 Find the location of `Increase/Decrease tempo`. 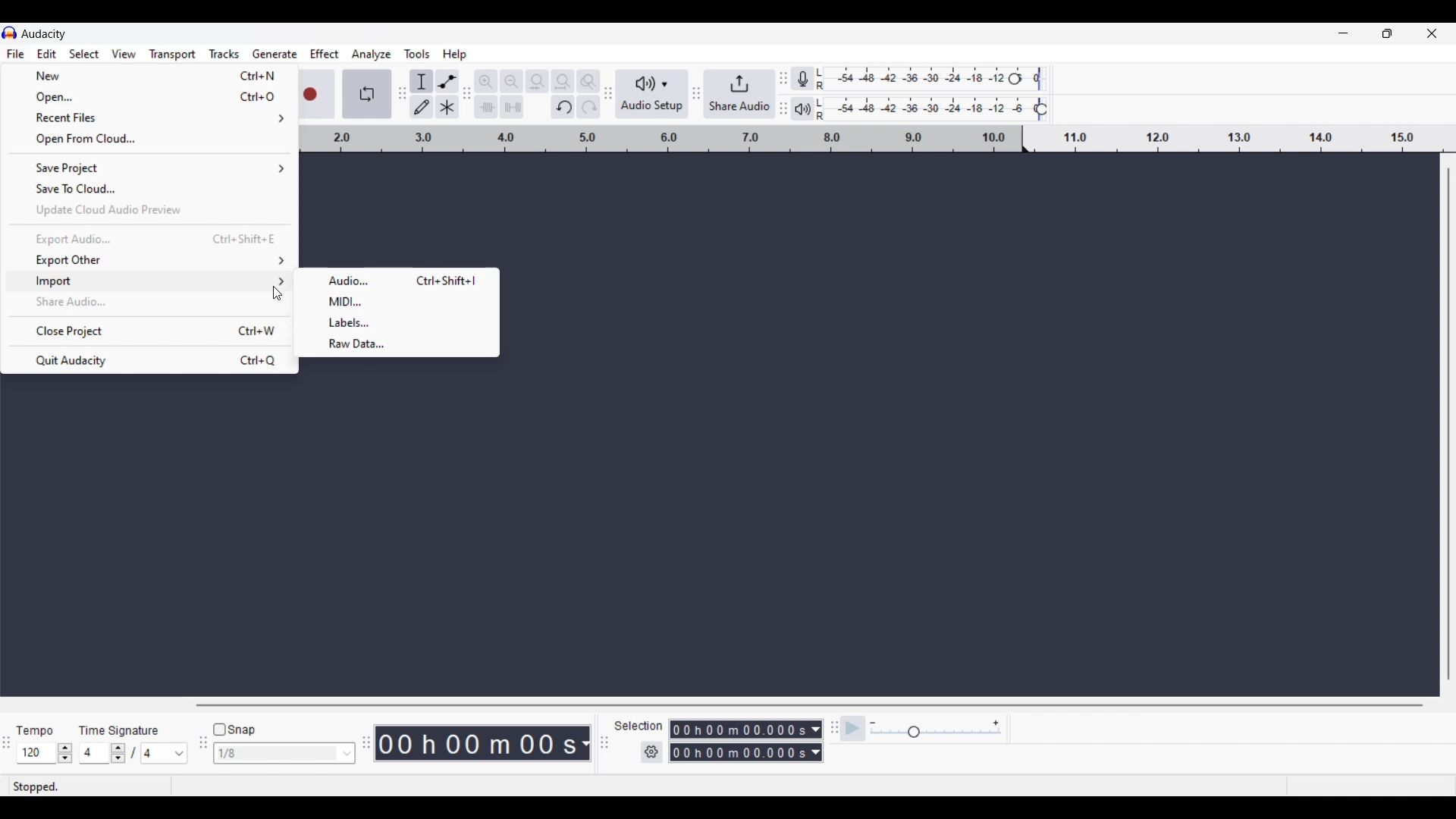

Increase/Decrease tempo is located at coordinates (65, 753).